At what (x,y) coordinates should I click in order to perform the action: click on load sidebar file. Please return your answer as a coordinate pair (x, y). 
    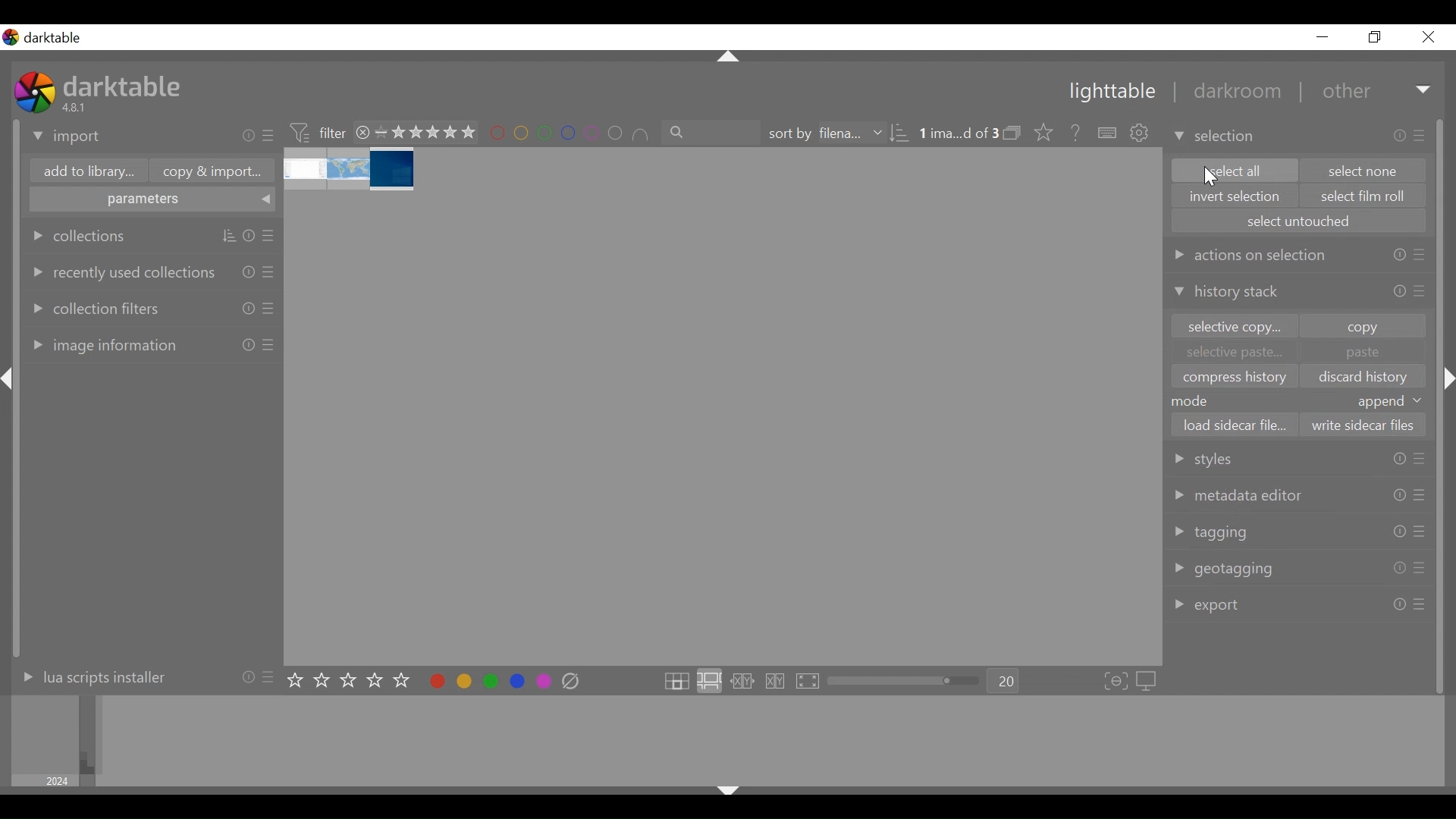
    Looking at the image, I should click on (1234, 425).